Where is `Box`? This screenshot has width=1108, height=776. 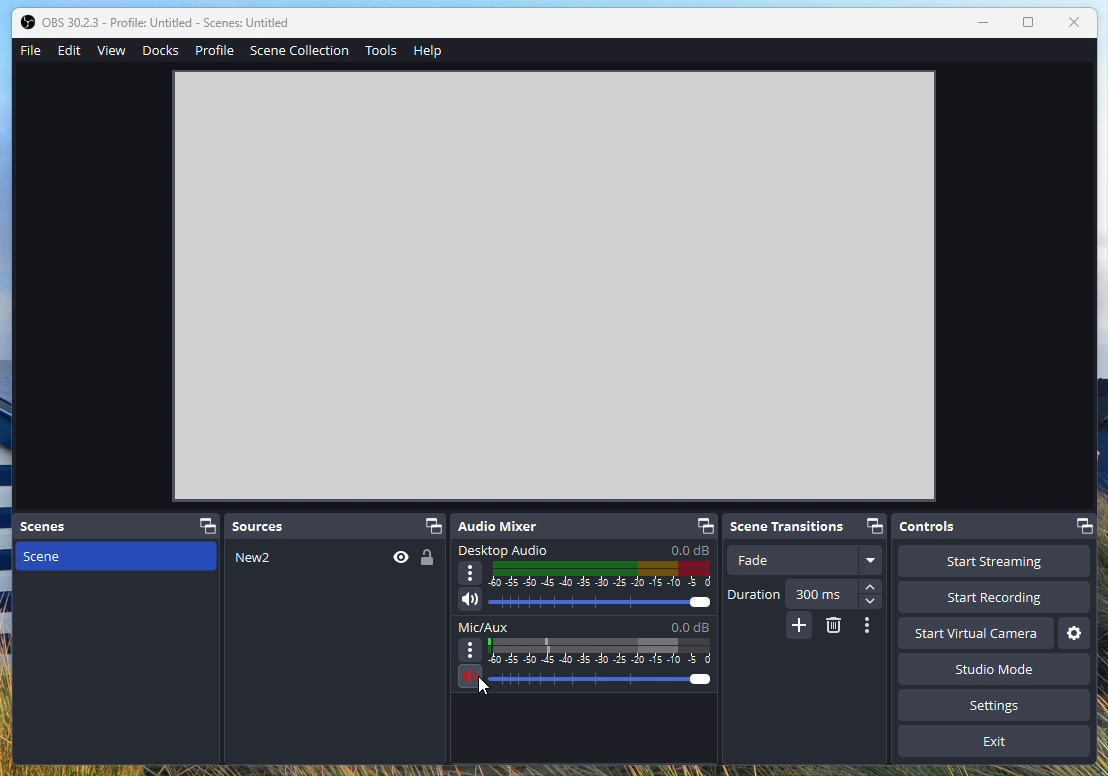
Box is located at coordinates (1030, 25).